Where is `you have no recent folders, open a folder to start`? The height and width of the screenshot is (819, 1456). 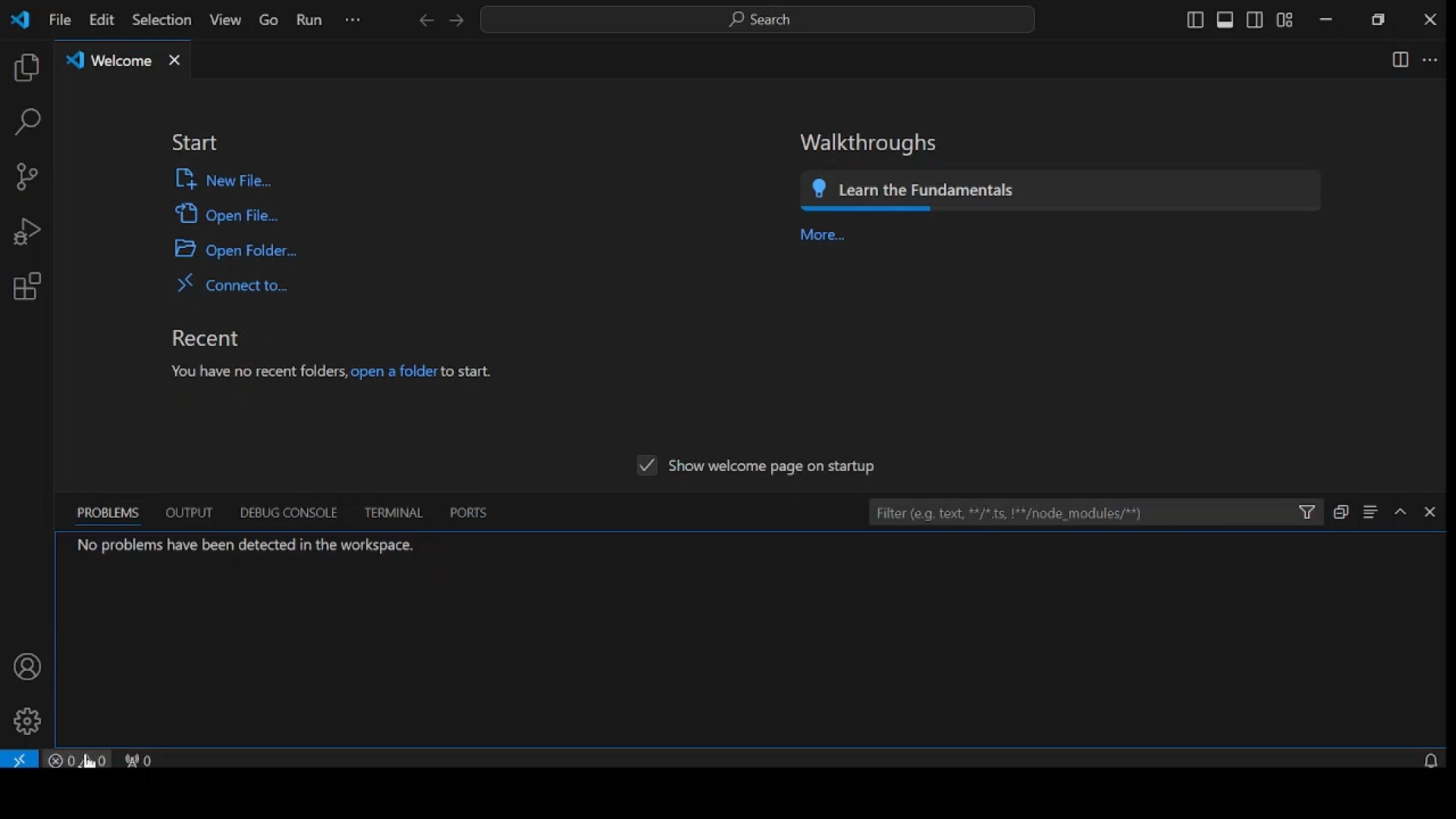
you have no recent folders, open a folder to start is located at coordinates (334, 371).